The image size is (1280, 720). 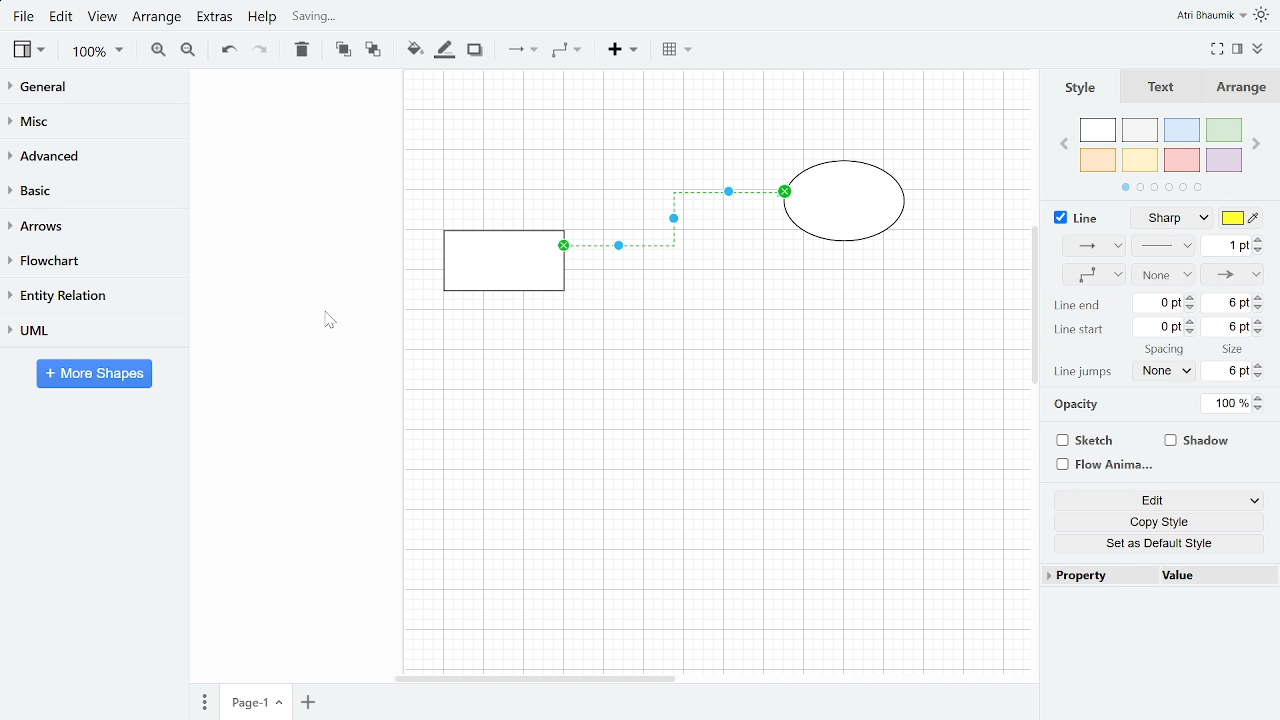 What do you see at coordinates (1262, 333) in the screenshot?
I see `Decrease line start size` at bounding box center [1262, 333].